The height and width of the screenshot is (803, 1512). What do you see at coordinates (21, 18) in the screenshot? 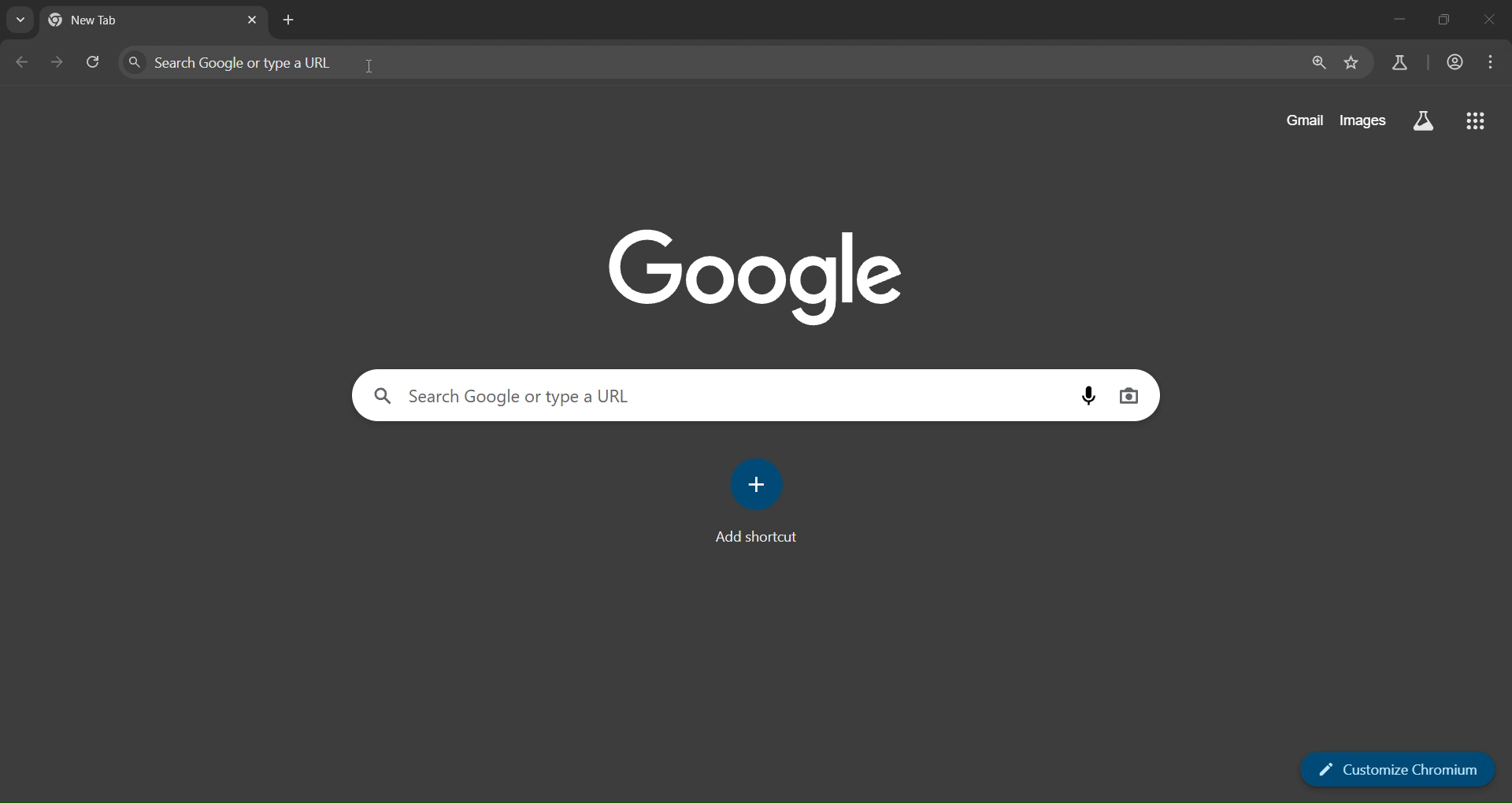
I see `search tabs` at bounding box center [21, 18].